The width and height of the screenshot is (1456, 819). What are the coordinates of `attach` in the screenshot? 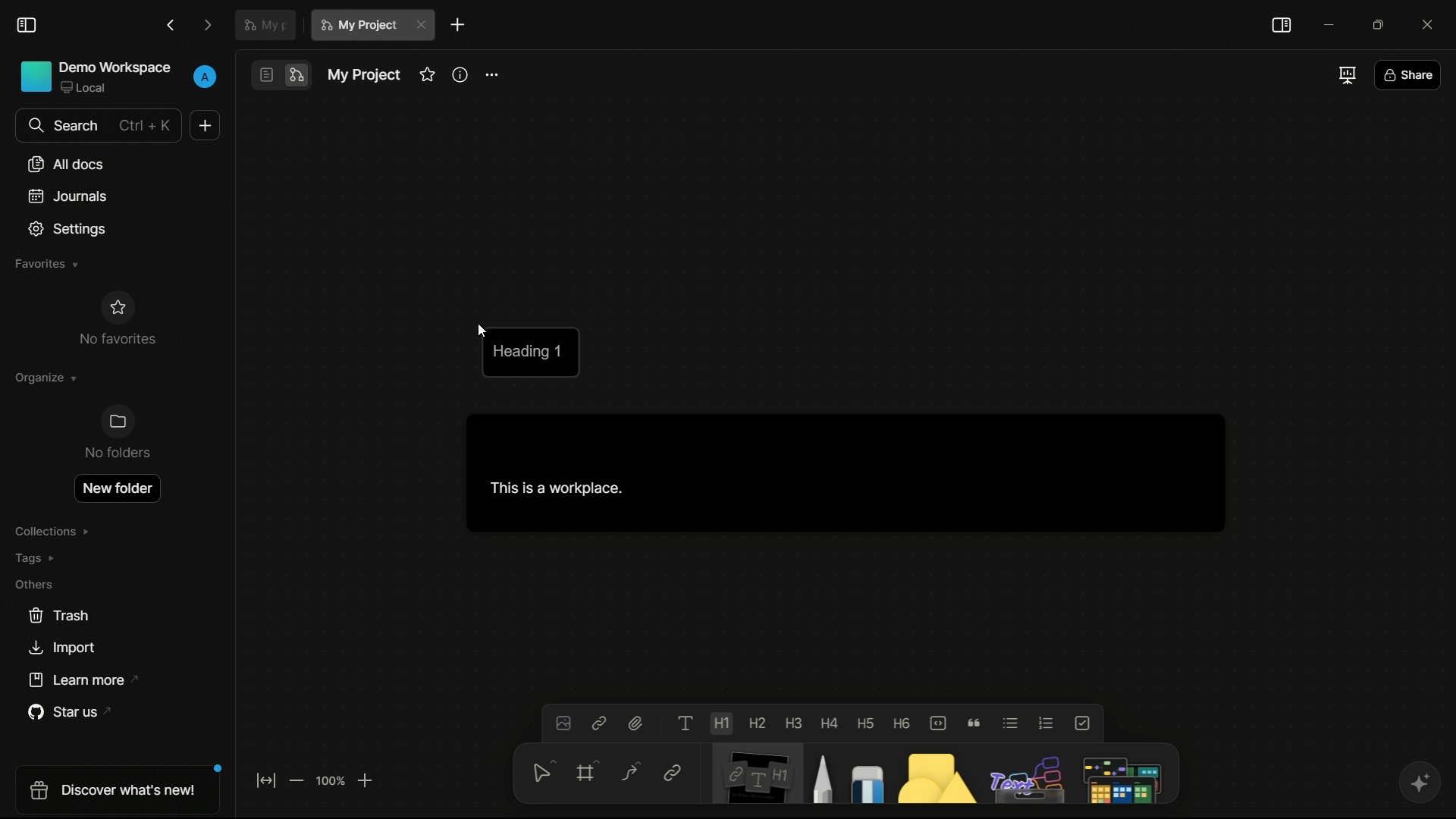 It's located at (638, 724).